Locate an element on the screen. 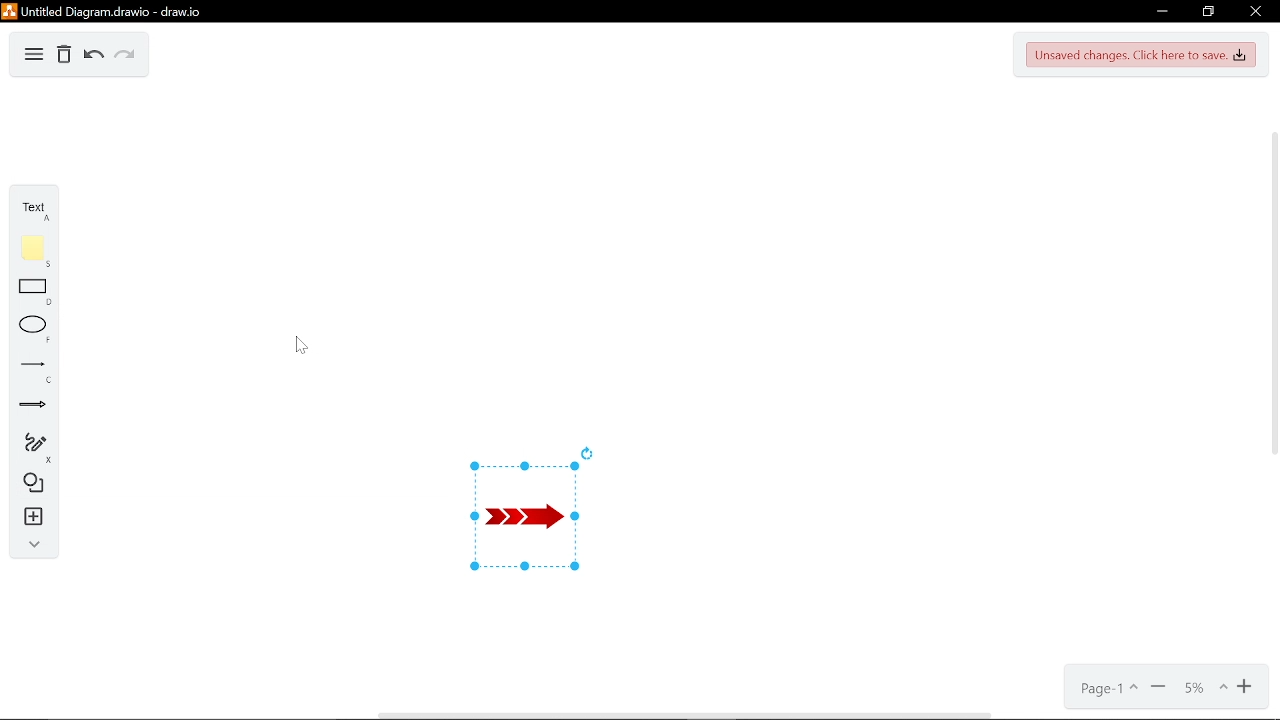 The width and height of the screenshot is (1280, 720). Zoom out is located at coordinates (1158, 685).